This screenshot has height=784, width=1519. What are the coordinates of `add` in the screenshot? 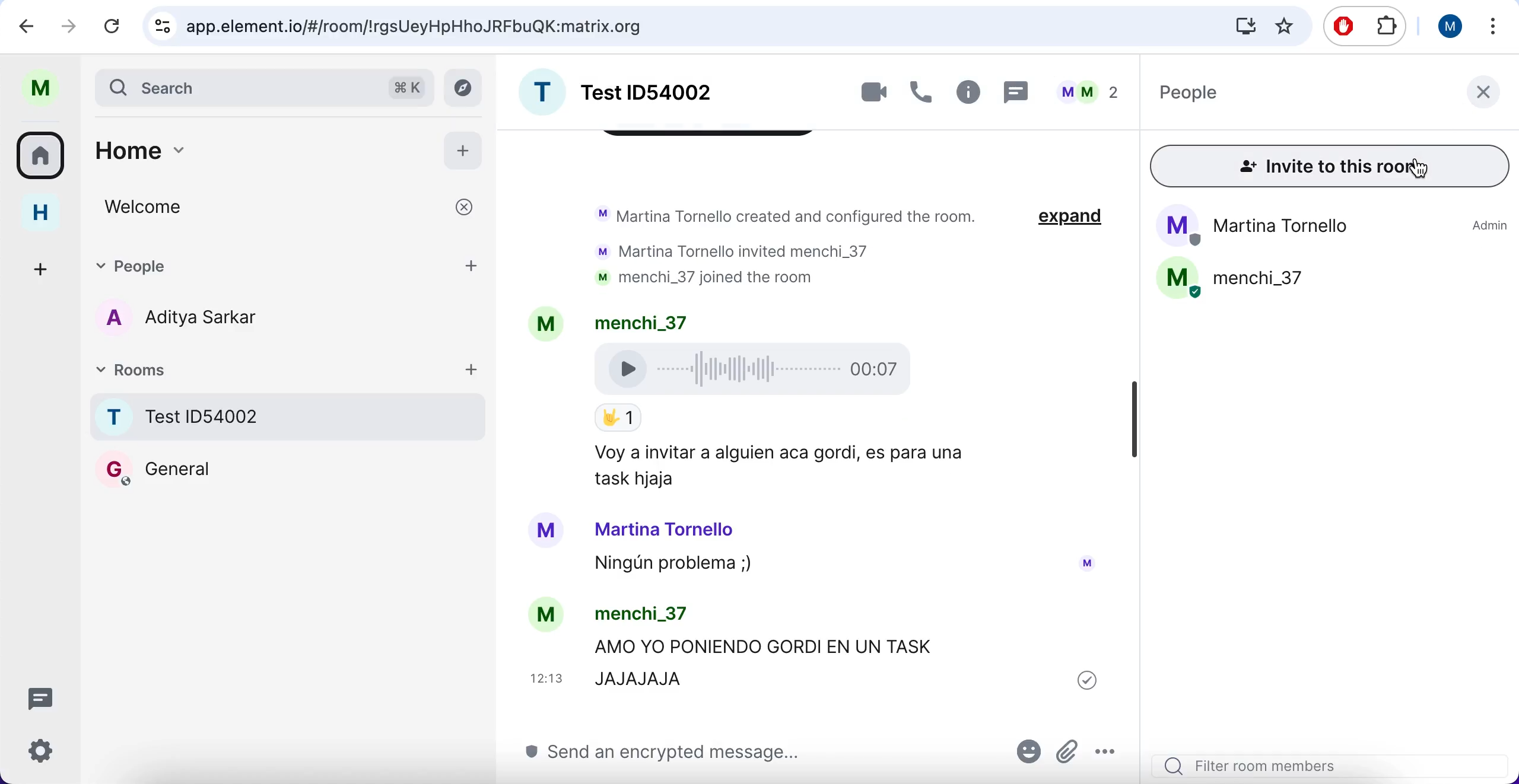 It's located at (476, 259).